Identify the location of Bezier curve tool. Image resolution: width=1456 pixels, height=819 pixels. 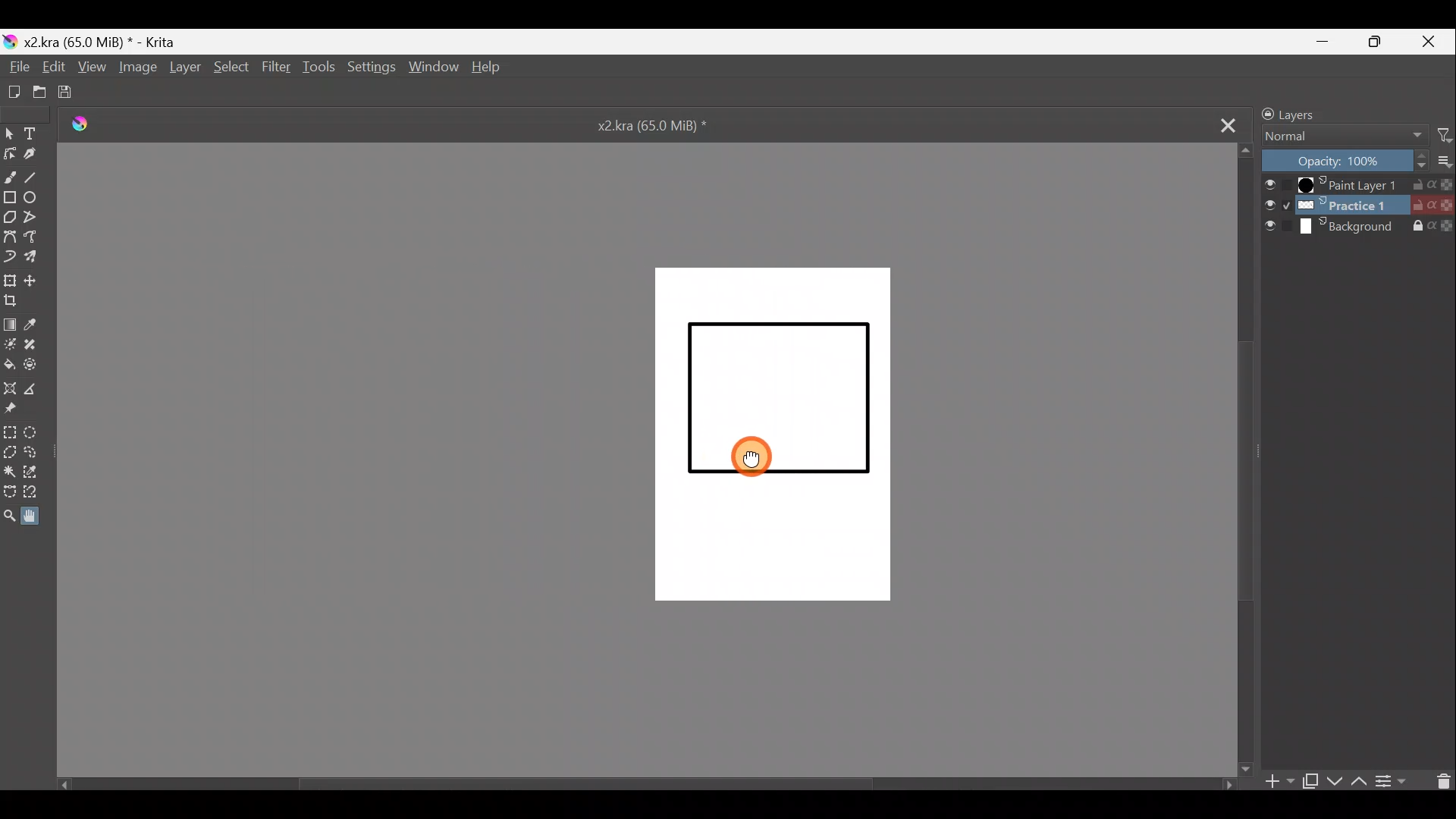
(9, 235).